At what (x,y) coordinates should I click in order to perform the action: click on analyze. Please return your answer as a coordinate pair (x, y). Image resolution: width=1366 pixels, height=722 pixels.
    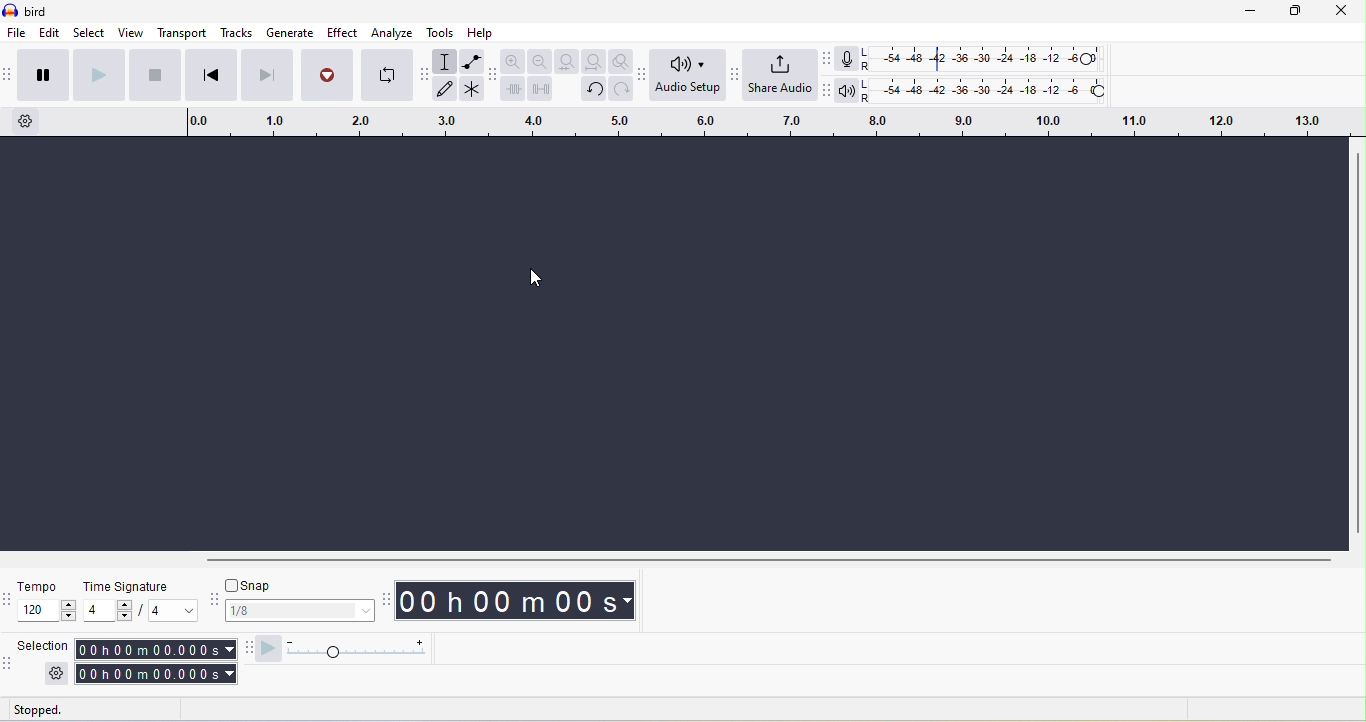
    Looking at the image, I should click on (391, 33).